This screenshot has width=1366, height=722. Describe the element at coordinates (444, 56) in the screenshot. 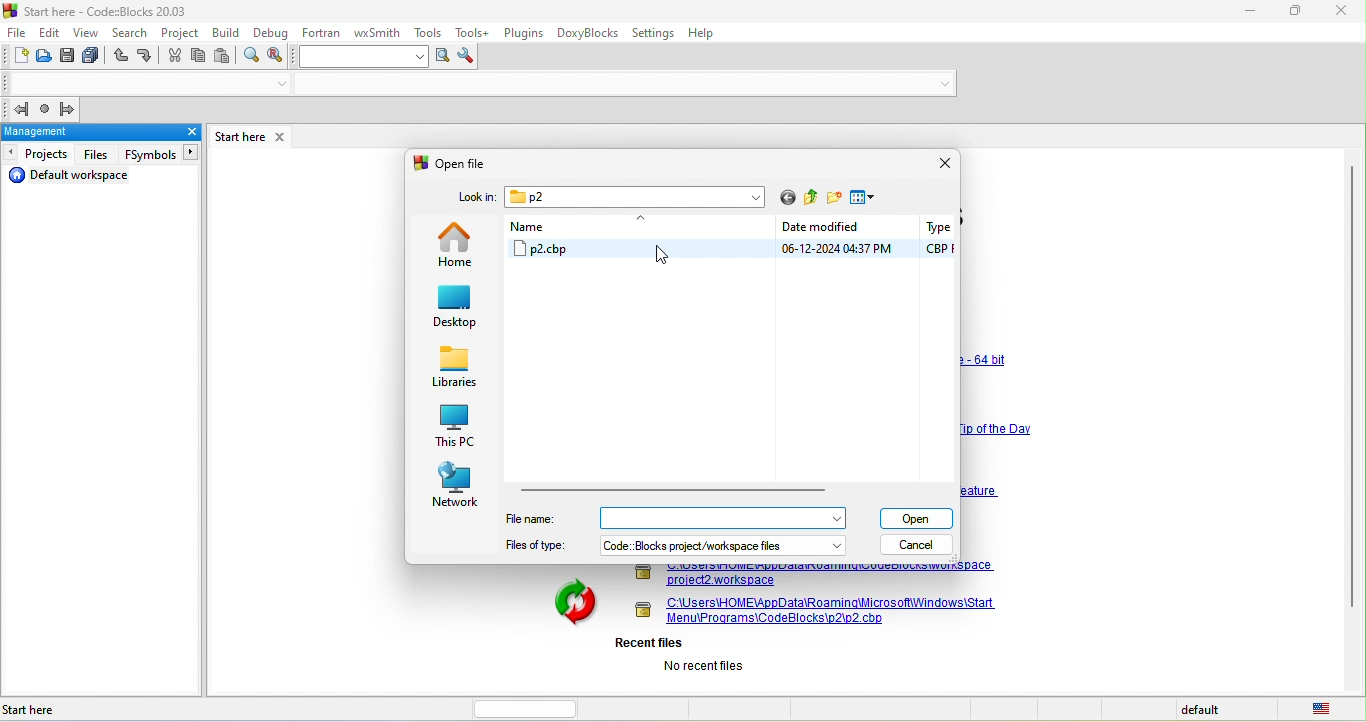

I see `run search` at that location.